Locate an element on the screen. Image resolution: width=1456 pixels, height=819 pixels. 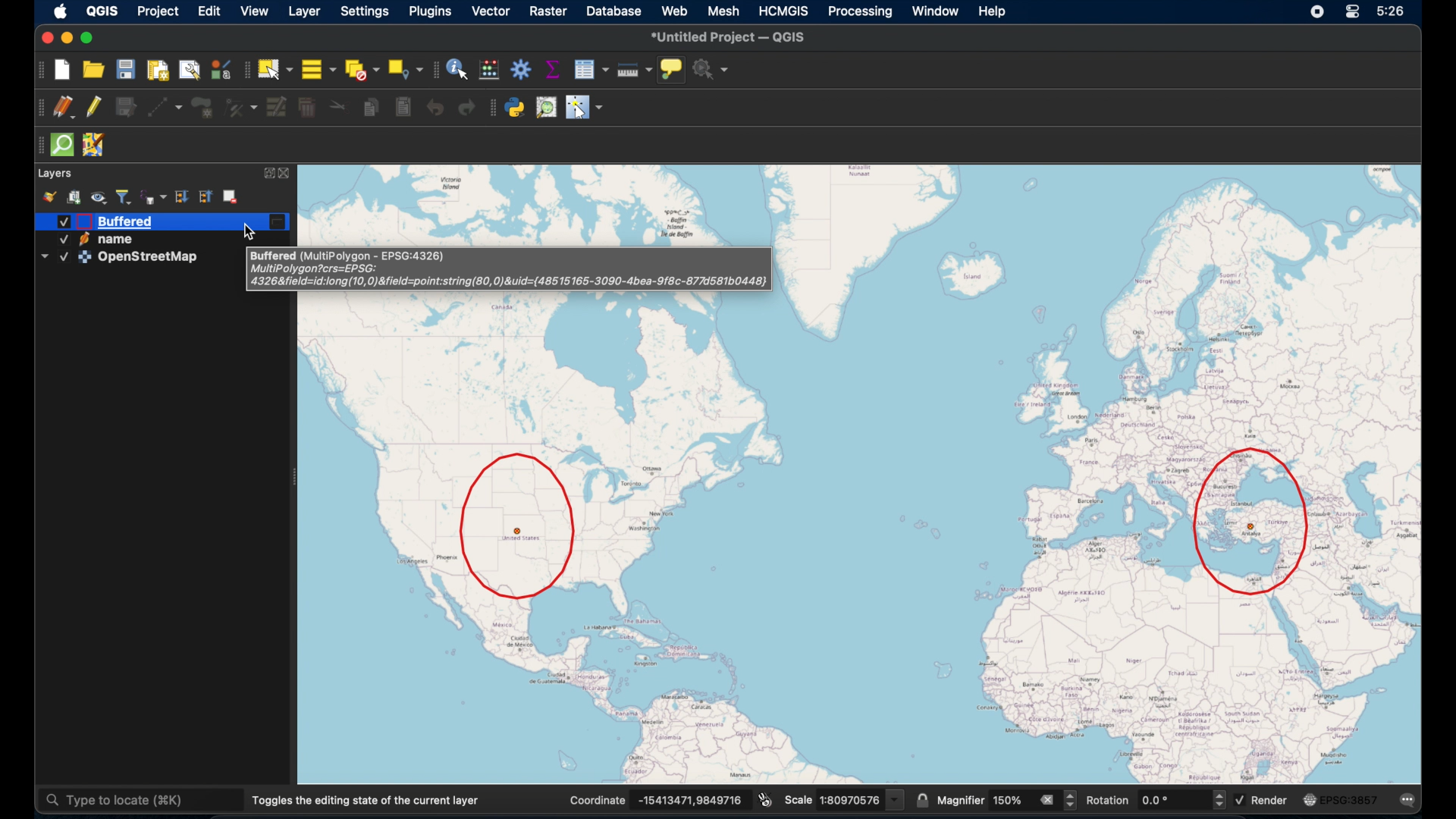
render is located at coordinates (1270, 799).